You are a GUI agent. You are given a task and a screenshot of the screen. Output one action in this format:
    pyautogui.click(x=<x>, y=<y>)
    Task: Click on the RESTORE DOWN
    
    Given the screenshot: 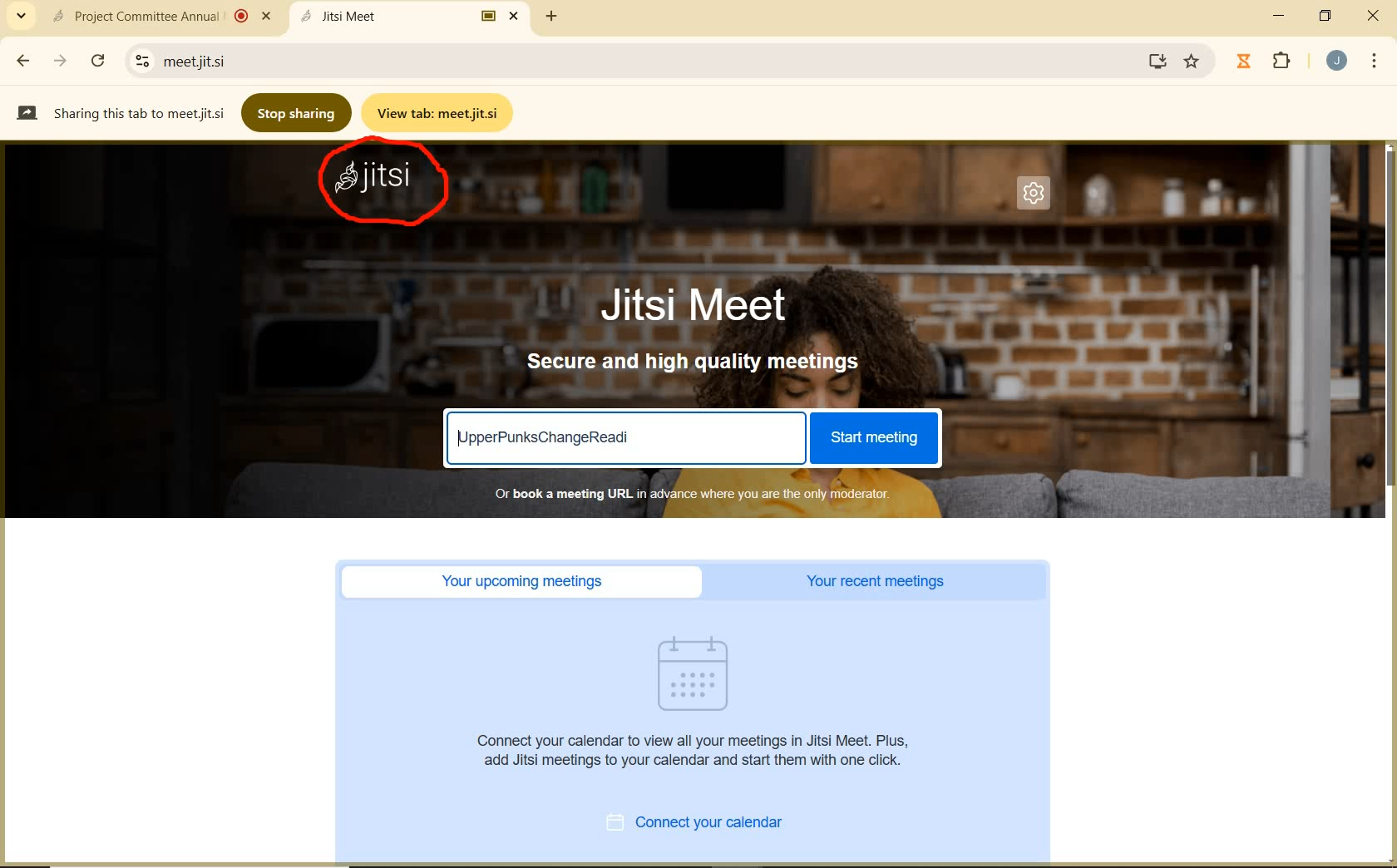 What is the action you would take?
    pyautogui.click(x=1325, y=16)
    